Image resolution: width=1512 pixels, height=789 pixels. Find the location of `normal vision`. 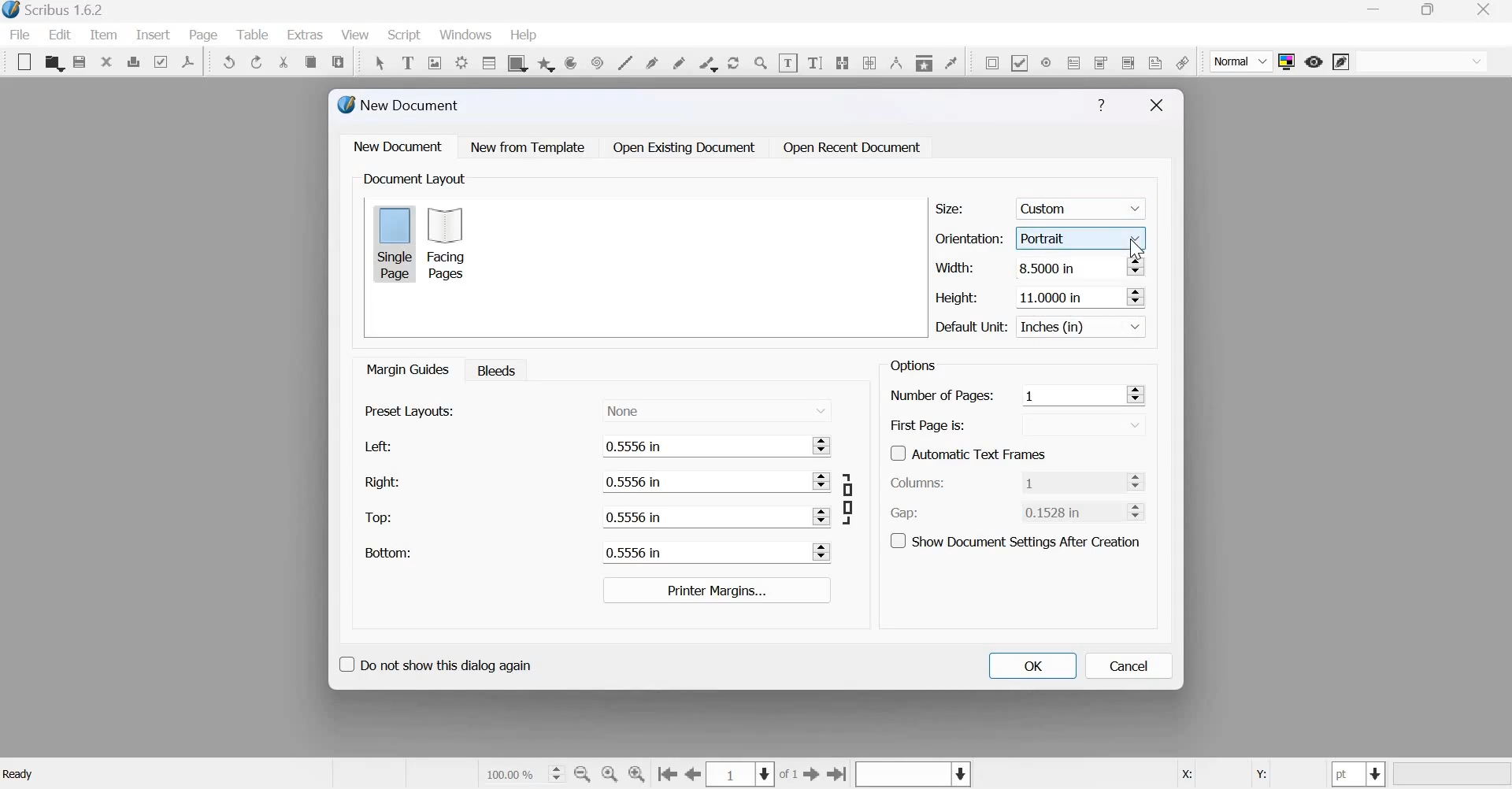

normal vision is located at coordinates (1422, 61).